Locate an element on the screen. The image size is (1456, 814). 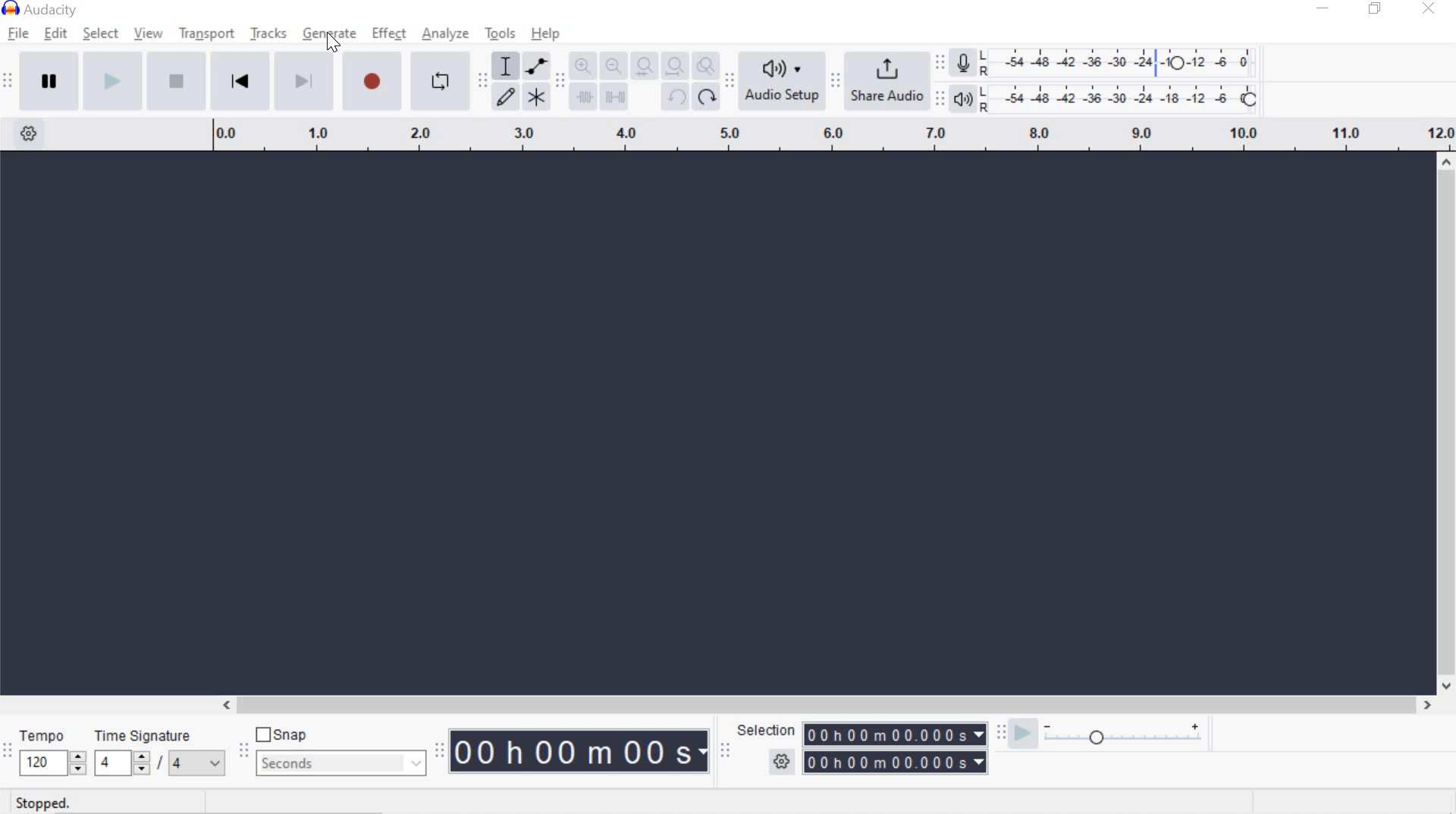
snap is located at coordinates (283, 735).